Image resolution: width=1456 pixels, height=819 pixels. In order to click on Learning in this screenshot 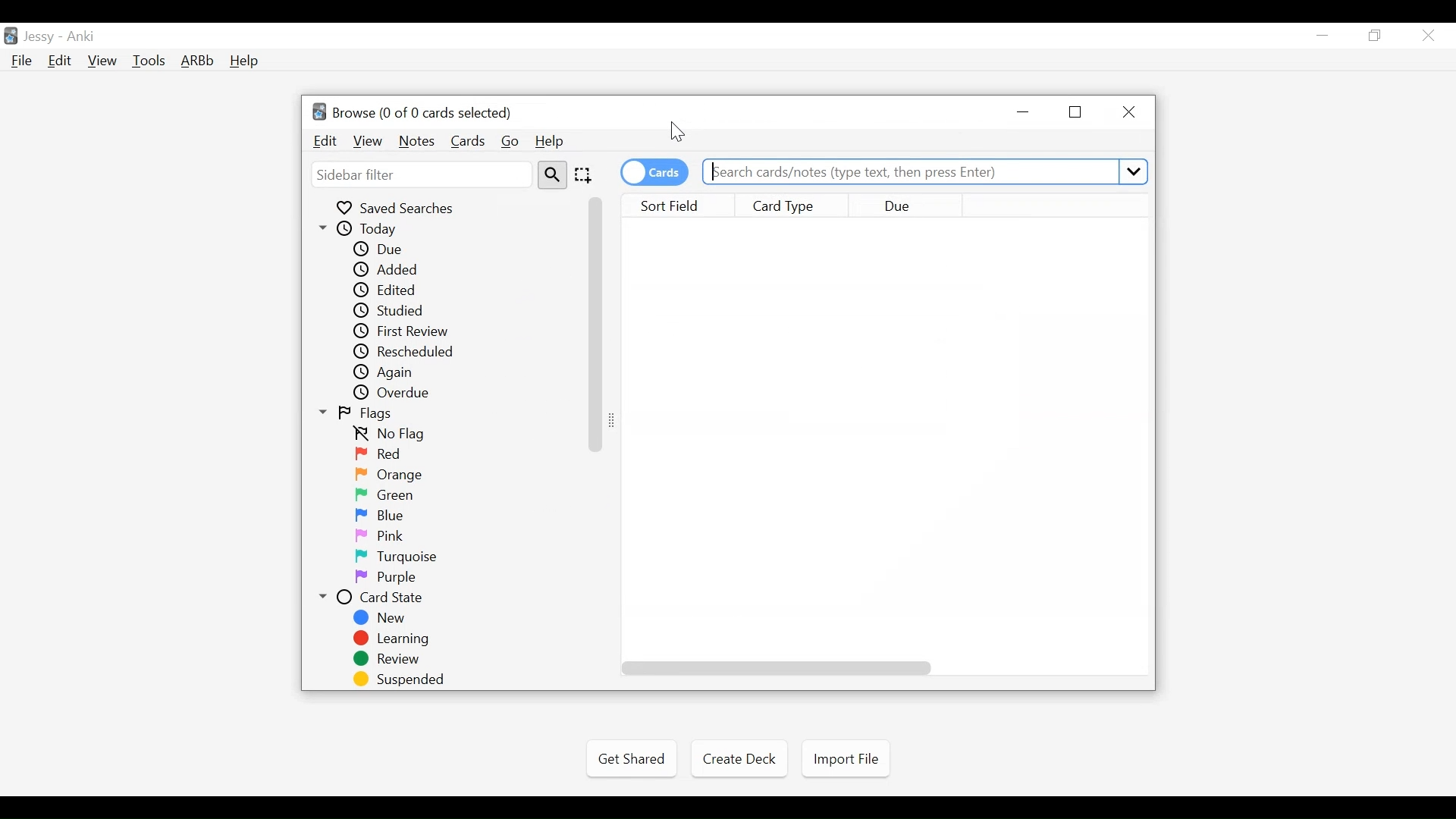, I will do `click(394, 639)`.